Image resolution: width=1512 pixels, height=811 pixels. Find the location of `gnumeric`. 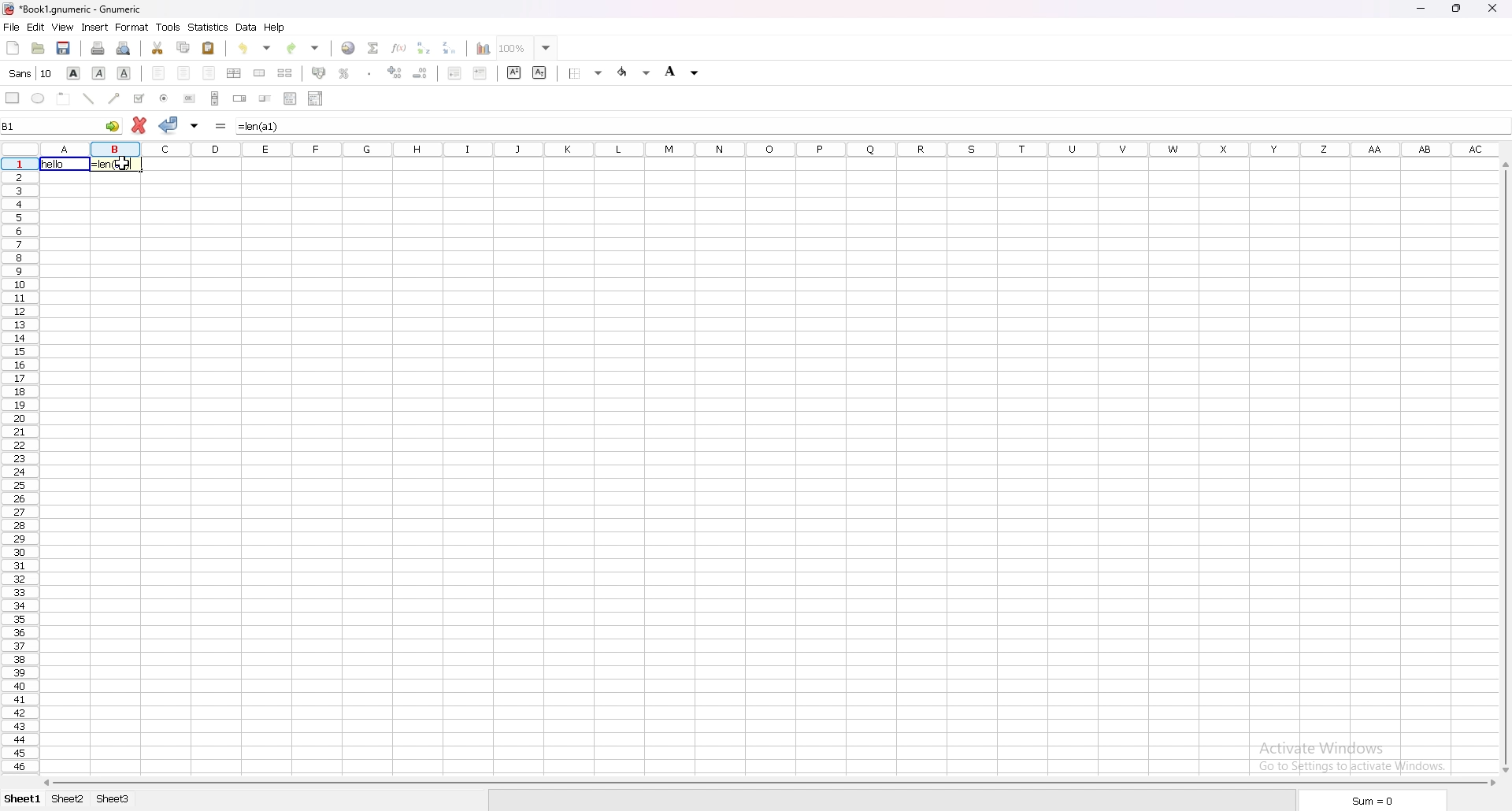

gnumeric is located at coordinates (72, 10).